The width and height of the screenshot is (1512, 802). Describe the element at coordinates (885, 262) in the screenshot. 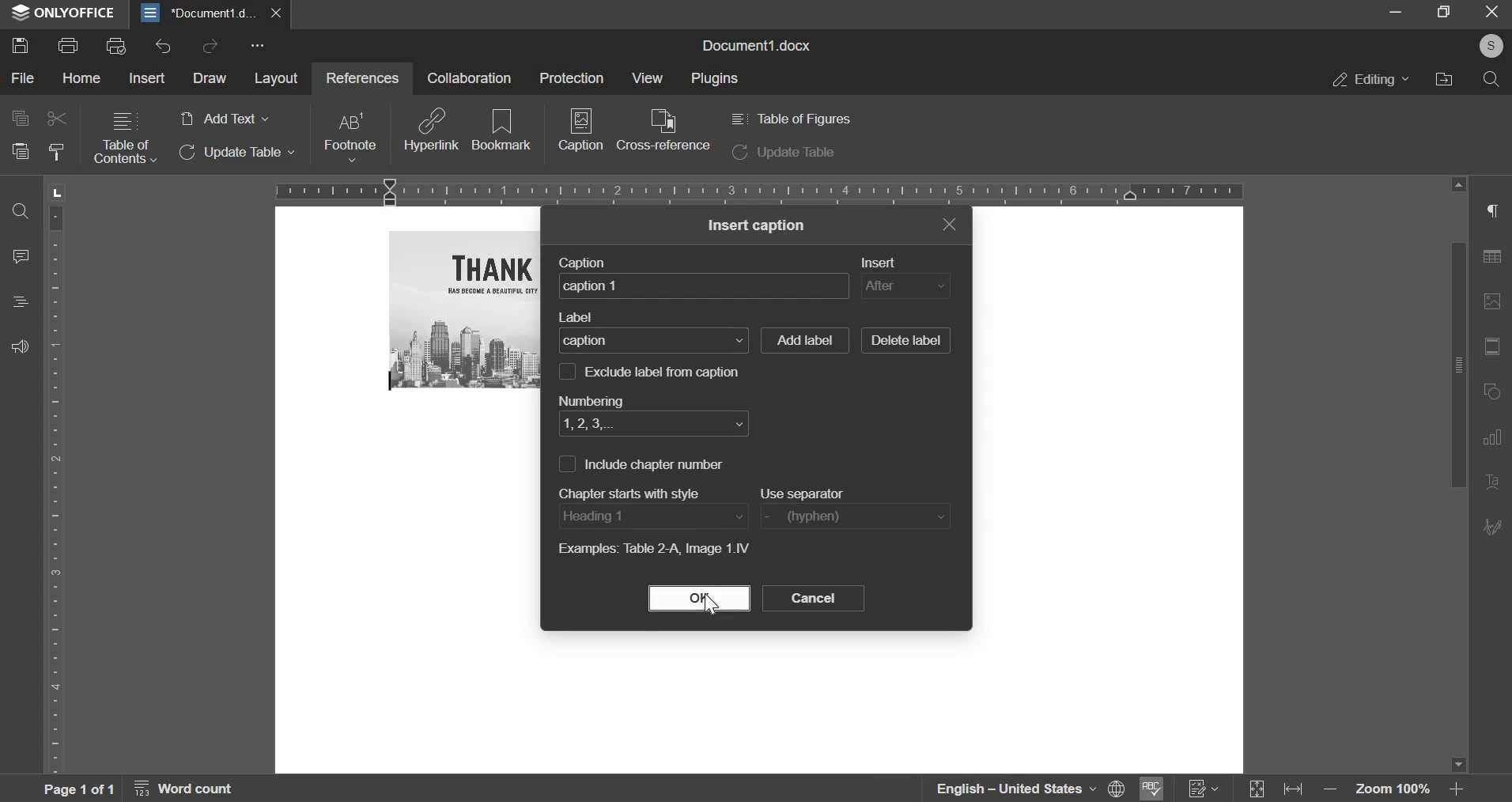

I see `insert` at that location.